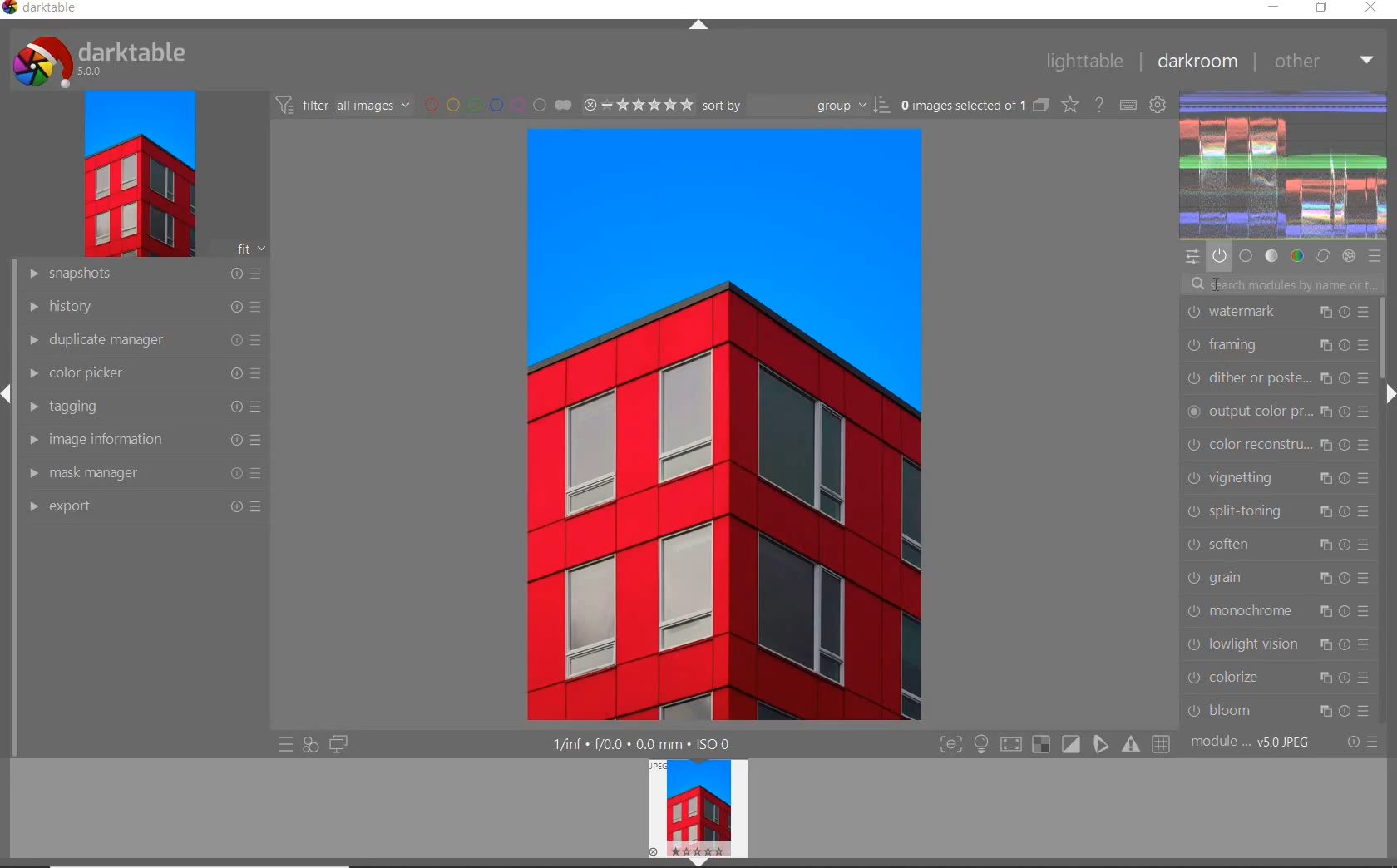  What do you see at coordinates (732, 426) in the screenshot?
I see `selected image` at bounding box center [732, 426].